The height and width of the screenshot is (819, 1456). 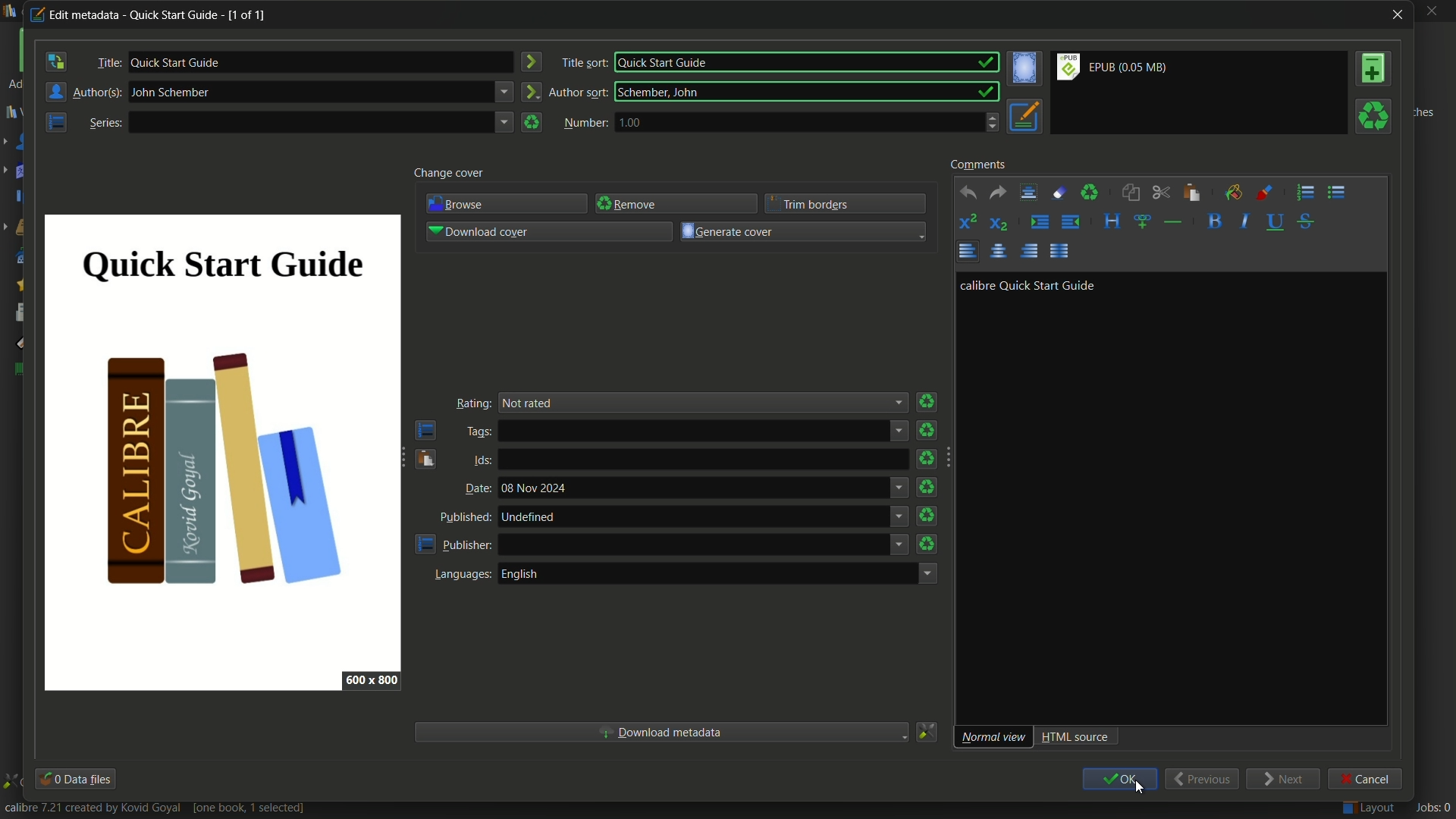 I want to click on trim borders, so click(x=812, y=204).